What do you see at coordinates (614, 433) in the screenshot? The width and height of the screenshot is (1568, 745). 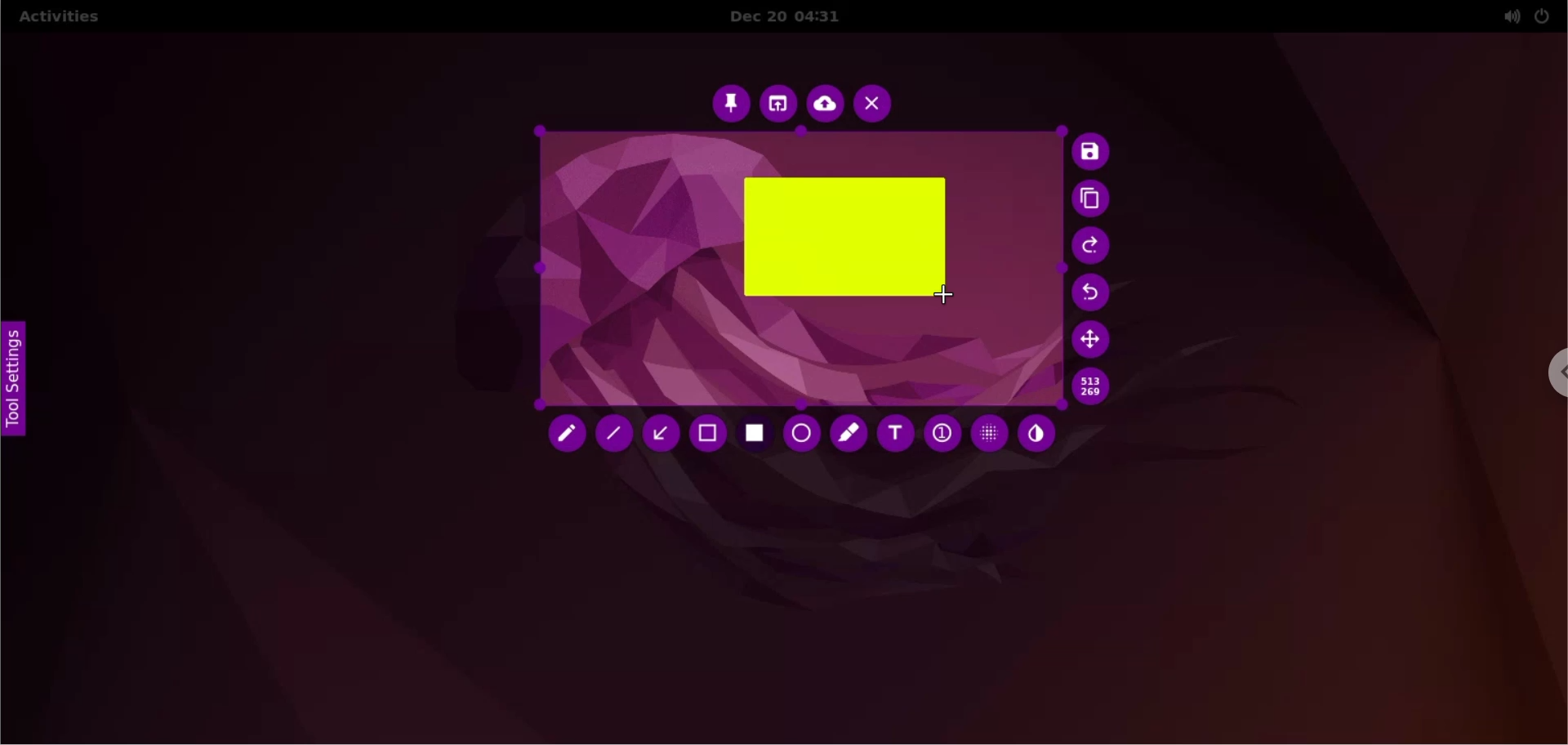 I see `line tool` at bounding box center [614, 433].